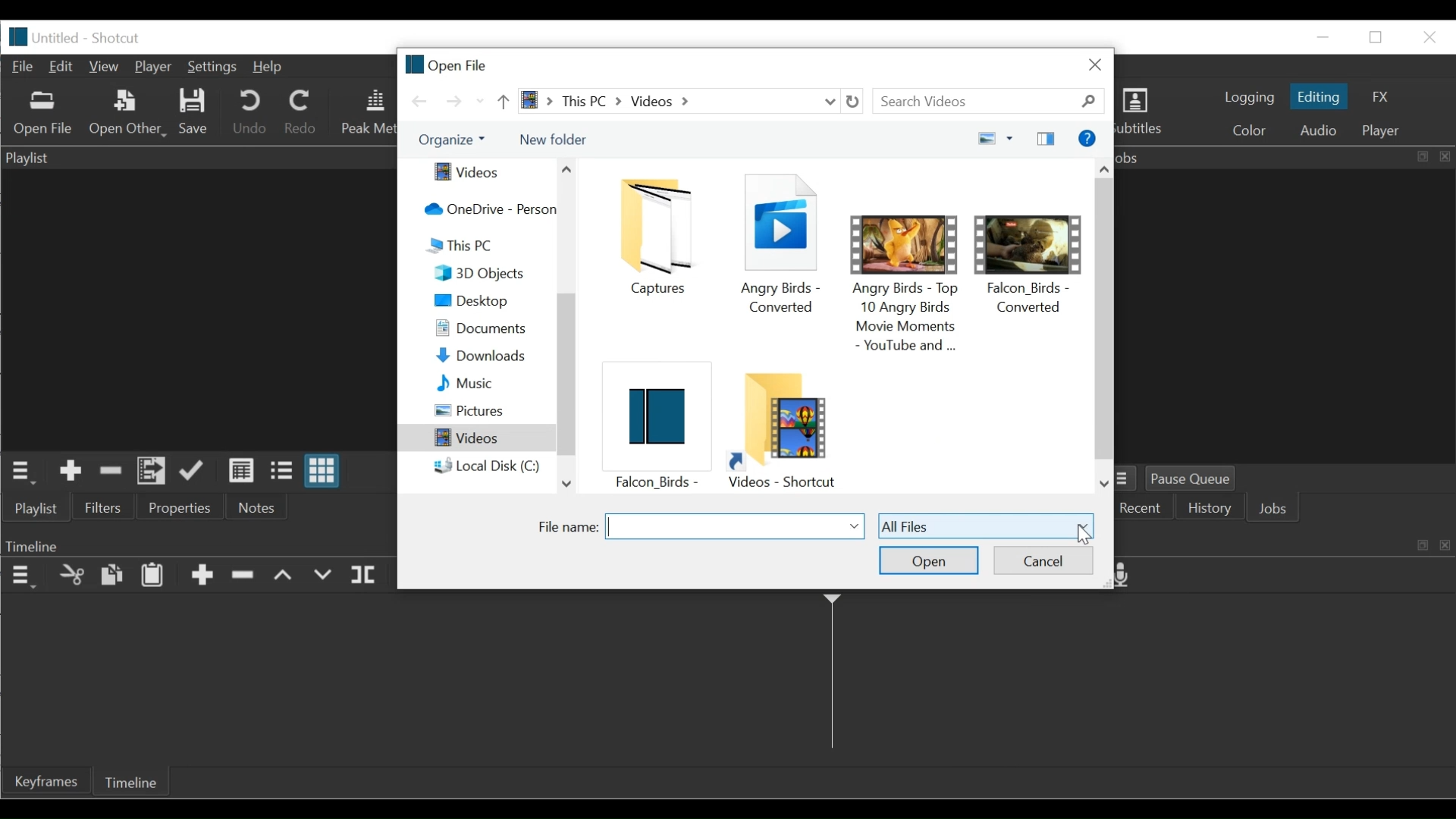 Image resolution: width=1456 pixels, height=819 pixels. I want to click on Downloads, so click(491, 356).